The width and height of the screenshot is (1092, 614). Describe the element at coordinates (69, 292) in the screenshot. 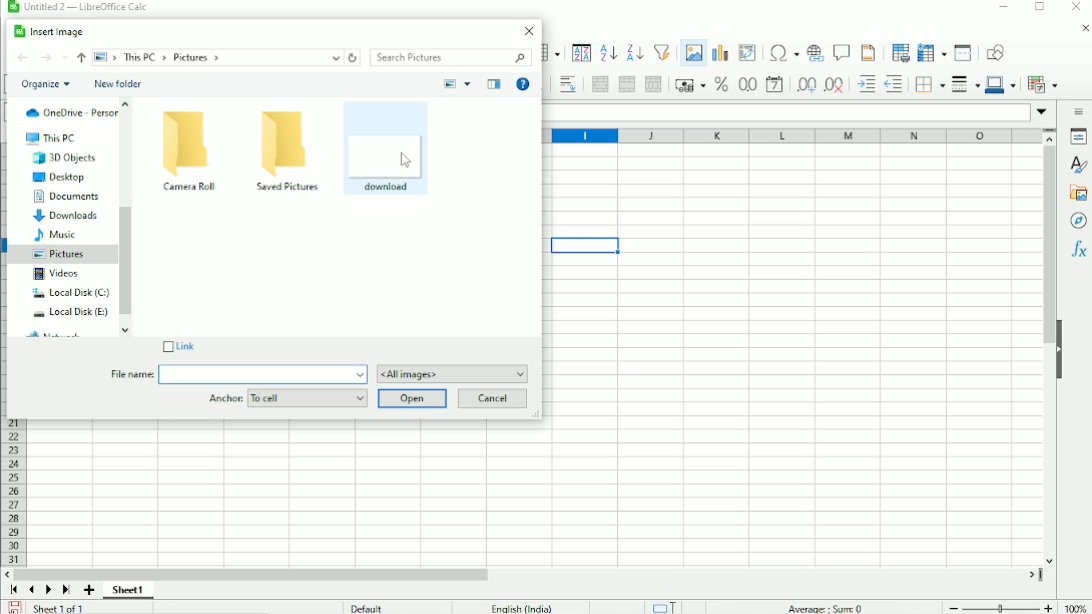

I see `Local Disk (C:)` at that location.